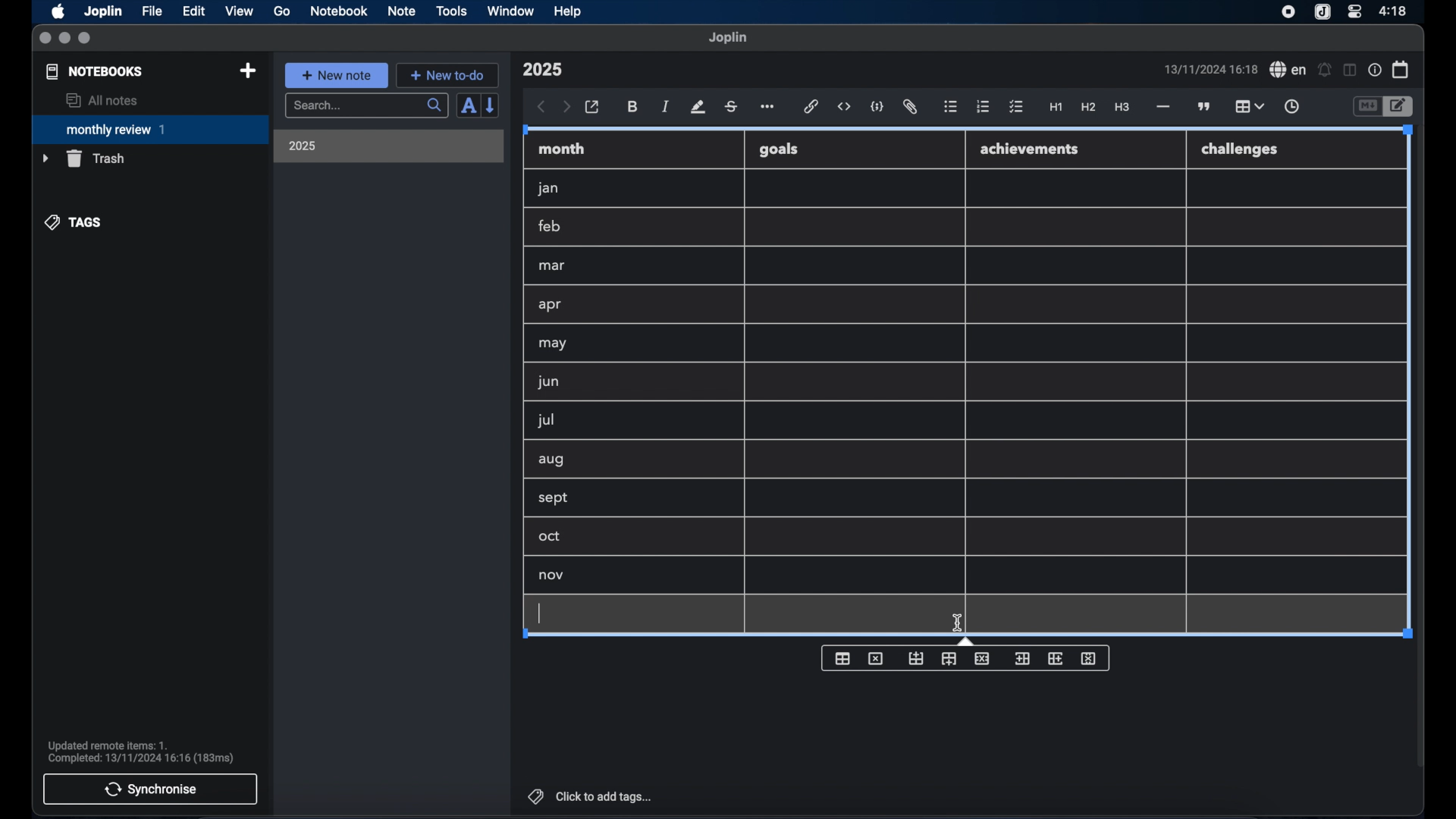 This screenshot has height=819, width=1456. What do you see at coordinates (552, 344) in the screenshot?
I see `may` at bounding box center [552, 344].